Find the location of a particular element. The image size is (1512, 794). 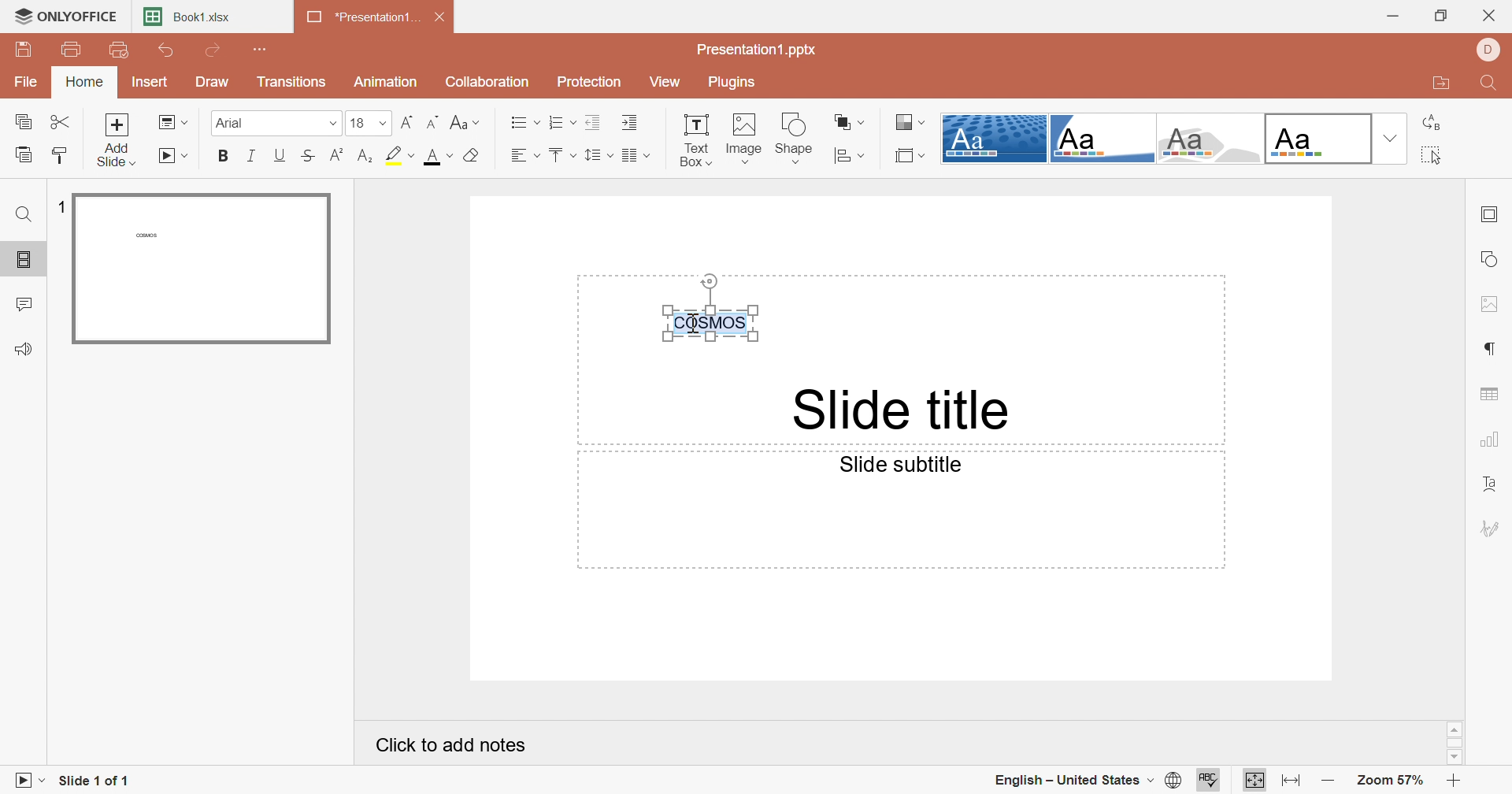

Subscript is located at coordinates (367, 157).